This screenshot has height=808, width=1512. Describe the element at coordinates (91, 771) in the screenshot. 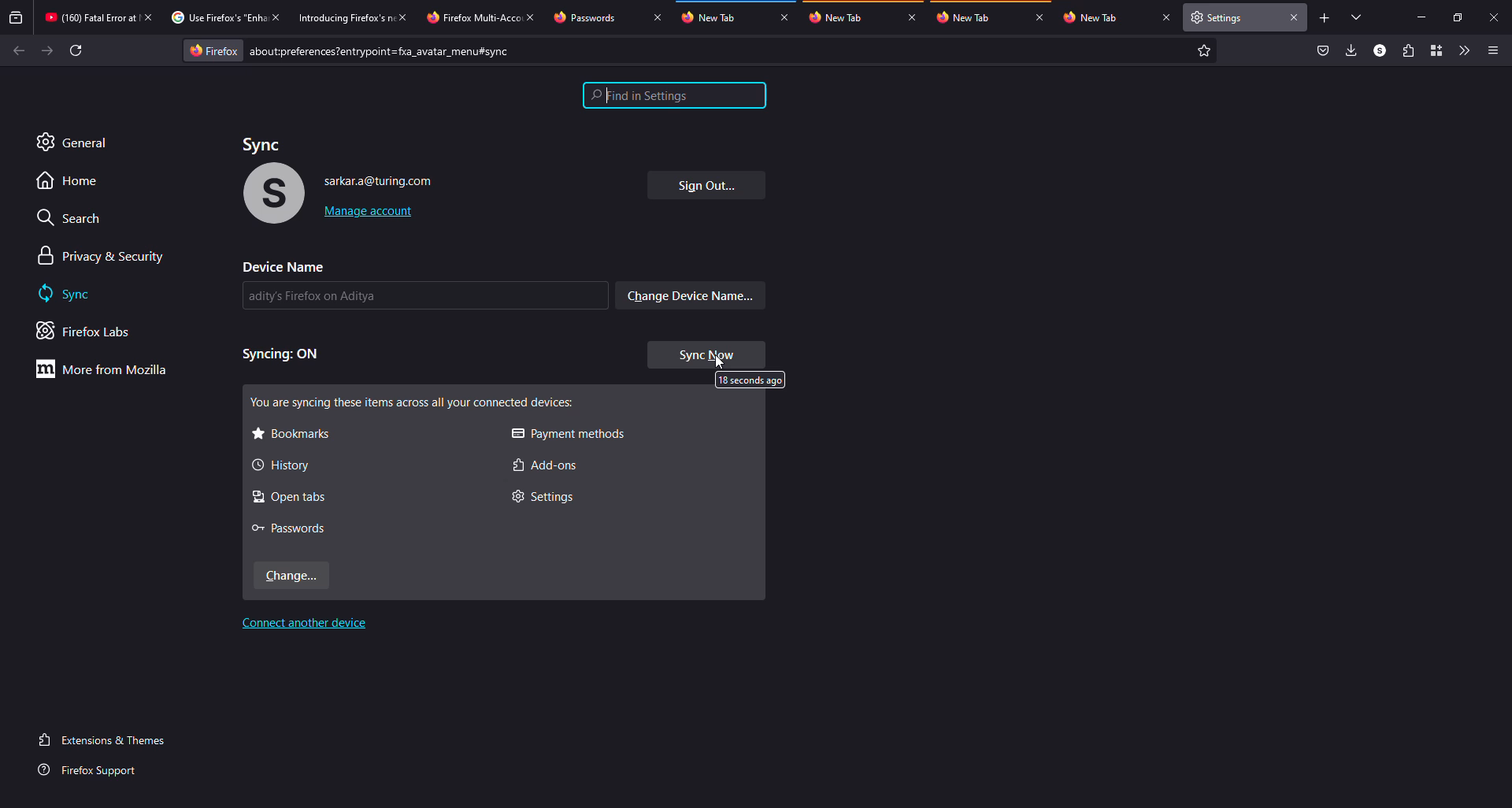

I see `firefox support` at that location.